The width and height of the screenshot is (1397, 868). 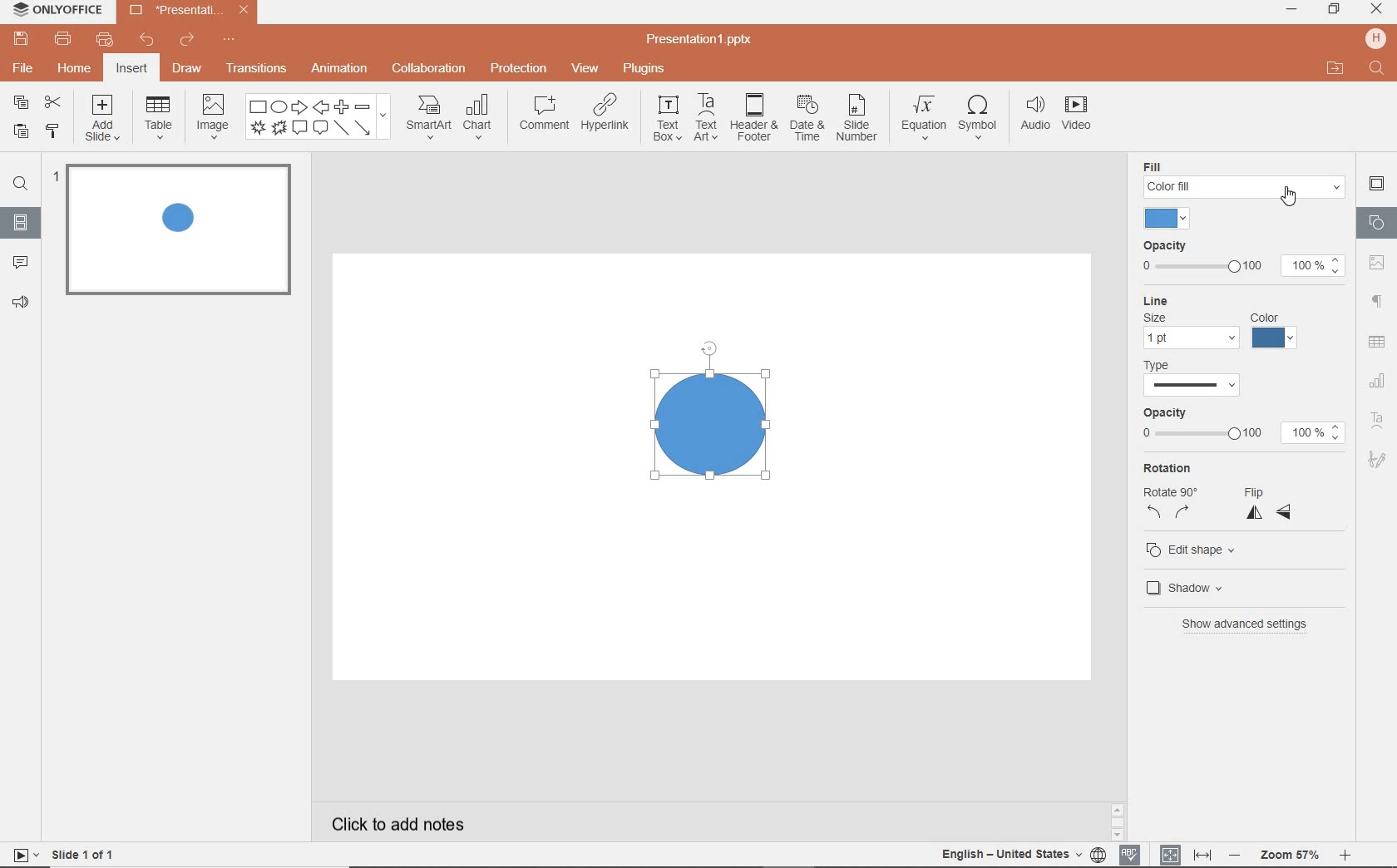 What do you see at coordinates (187, 11) in the screenshot?
I see `file name` at bounding box center [187, 11].